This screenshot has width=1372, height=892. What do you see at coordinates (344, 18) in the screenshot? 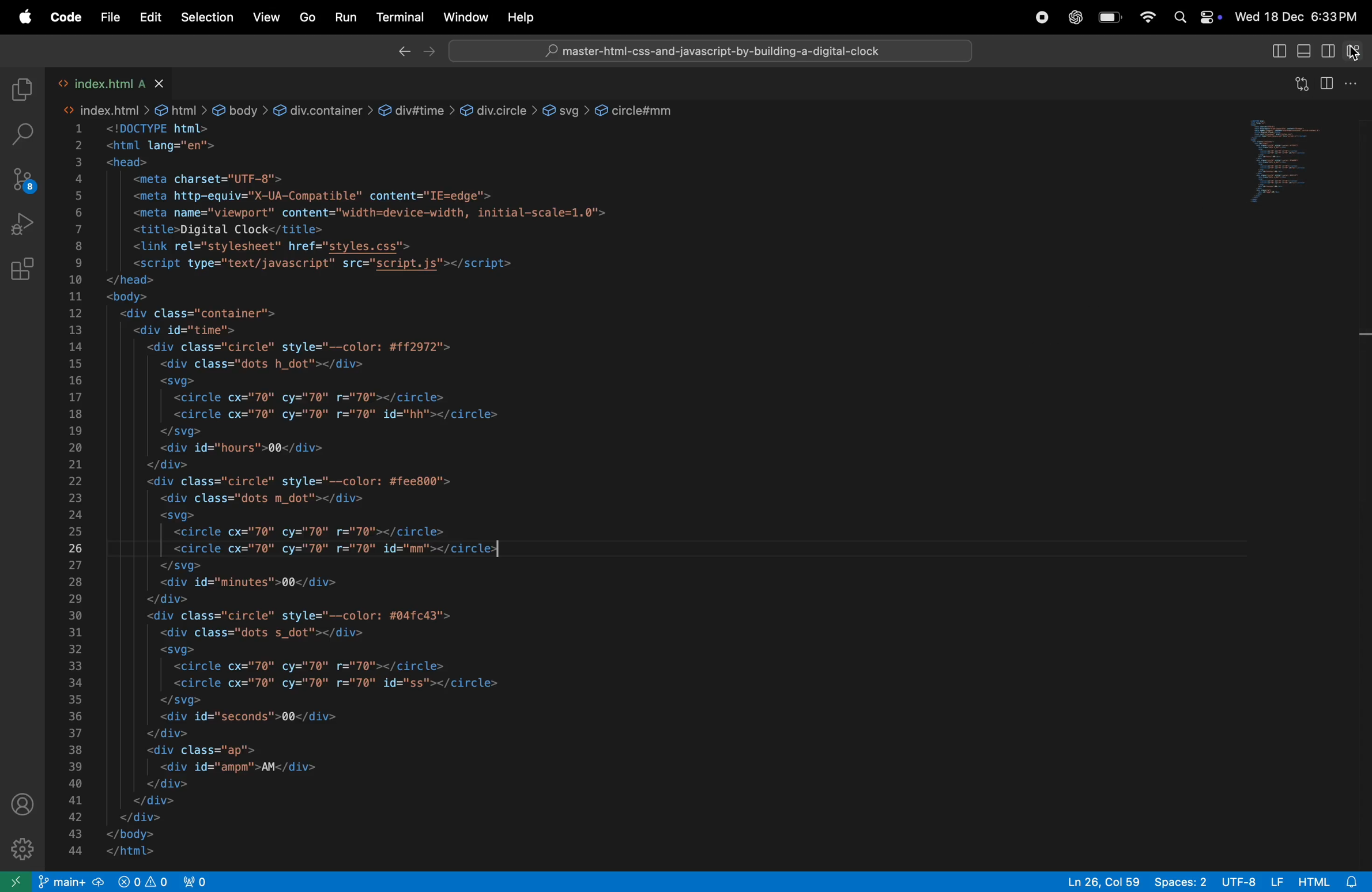
I see `run ` at bounding box center [344, 18].